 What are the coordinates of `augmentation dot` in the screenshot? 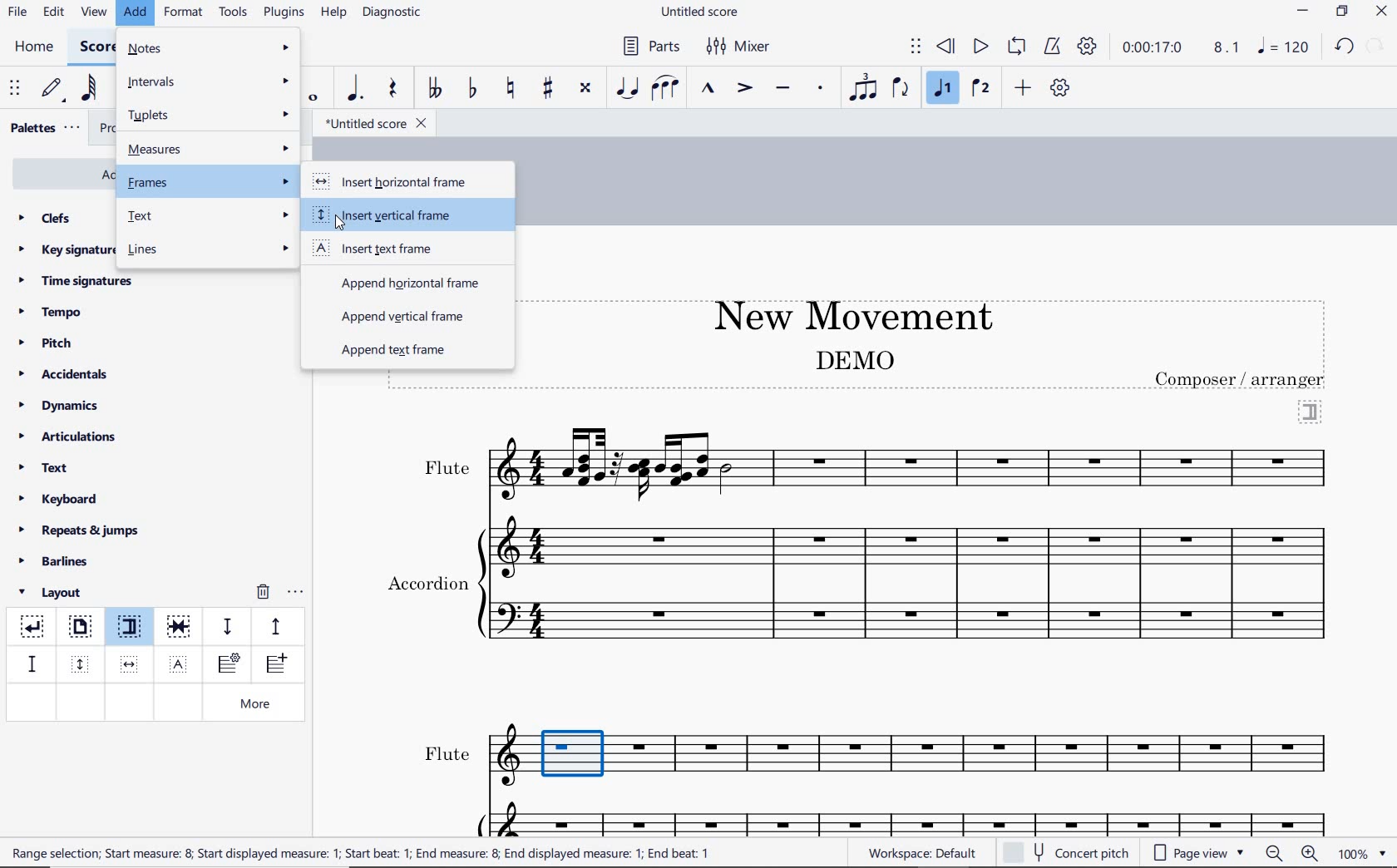 It's located at (353, 89).